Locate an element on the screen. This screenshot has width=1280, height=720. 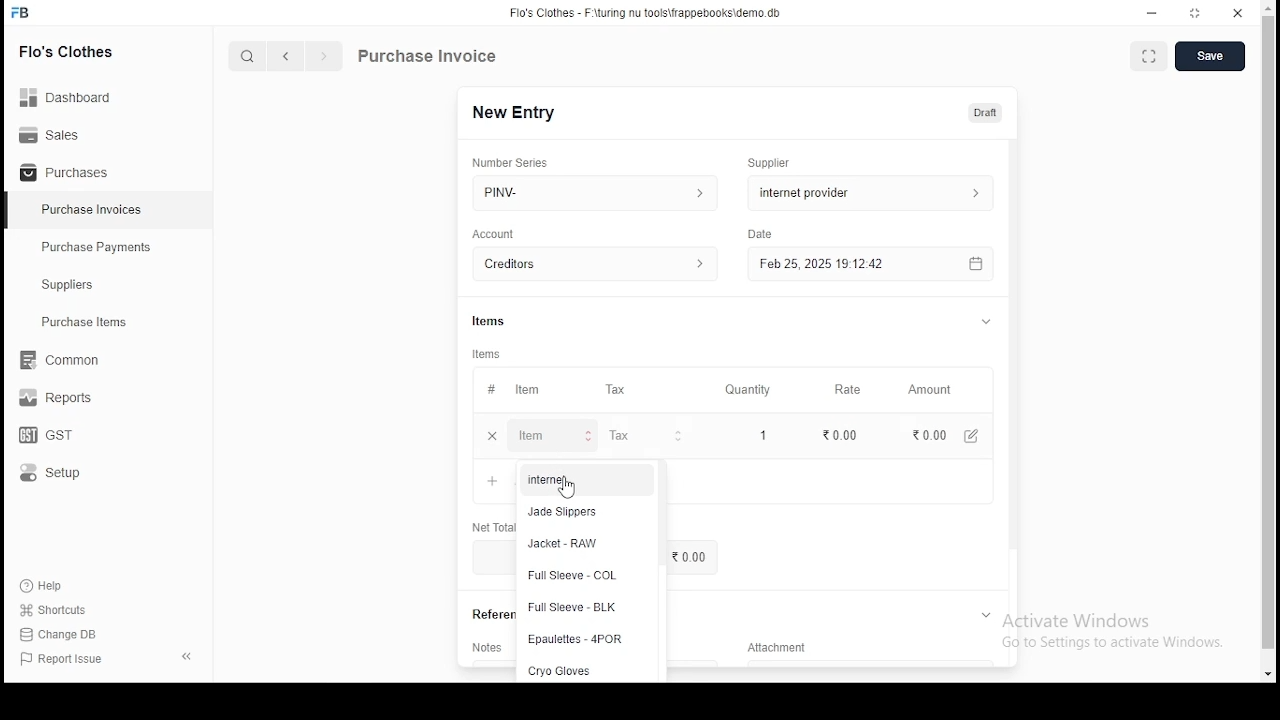
jacket raw is located at coordinates (566, 543).